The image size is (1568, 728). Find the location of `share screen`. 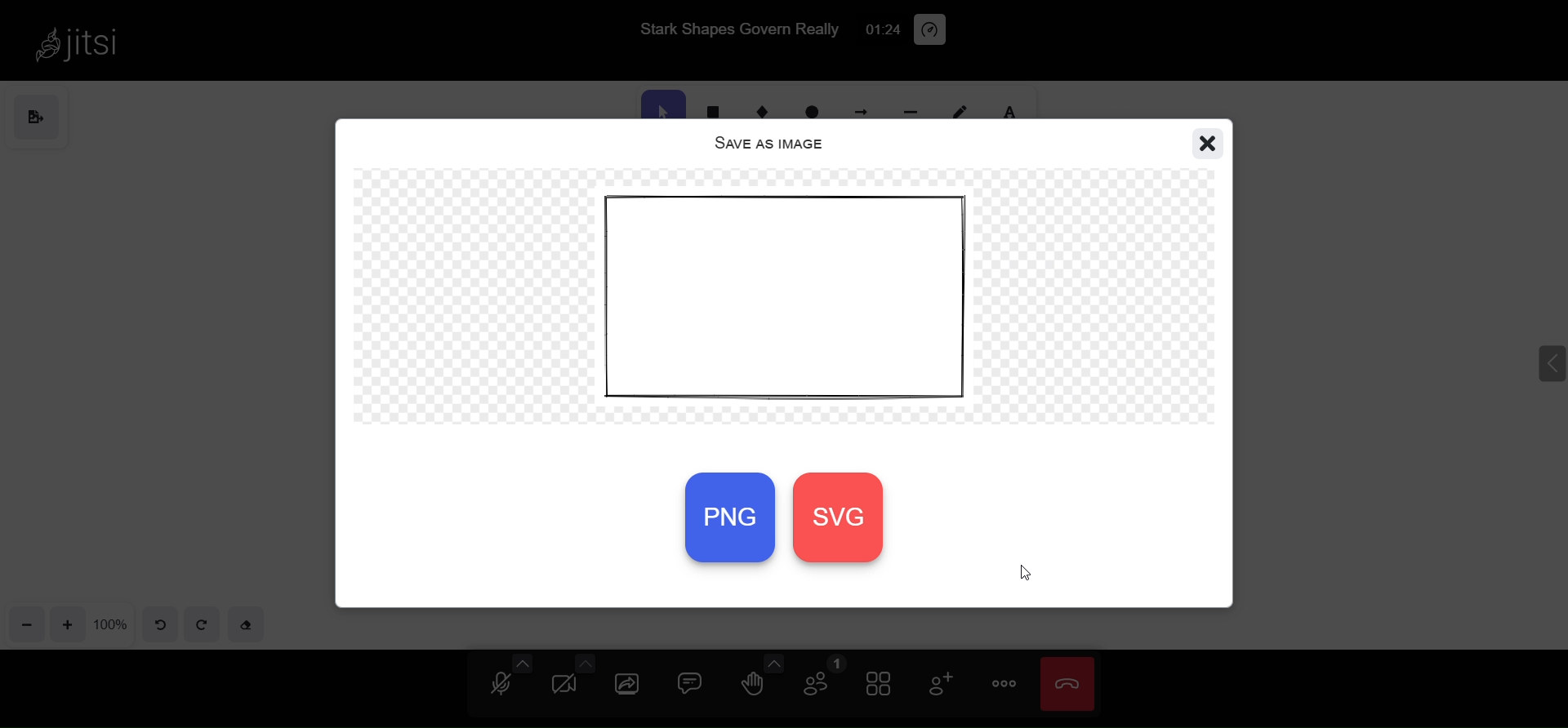

share screen is located at coordinates (626, 684).